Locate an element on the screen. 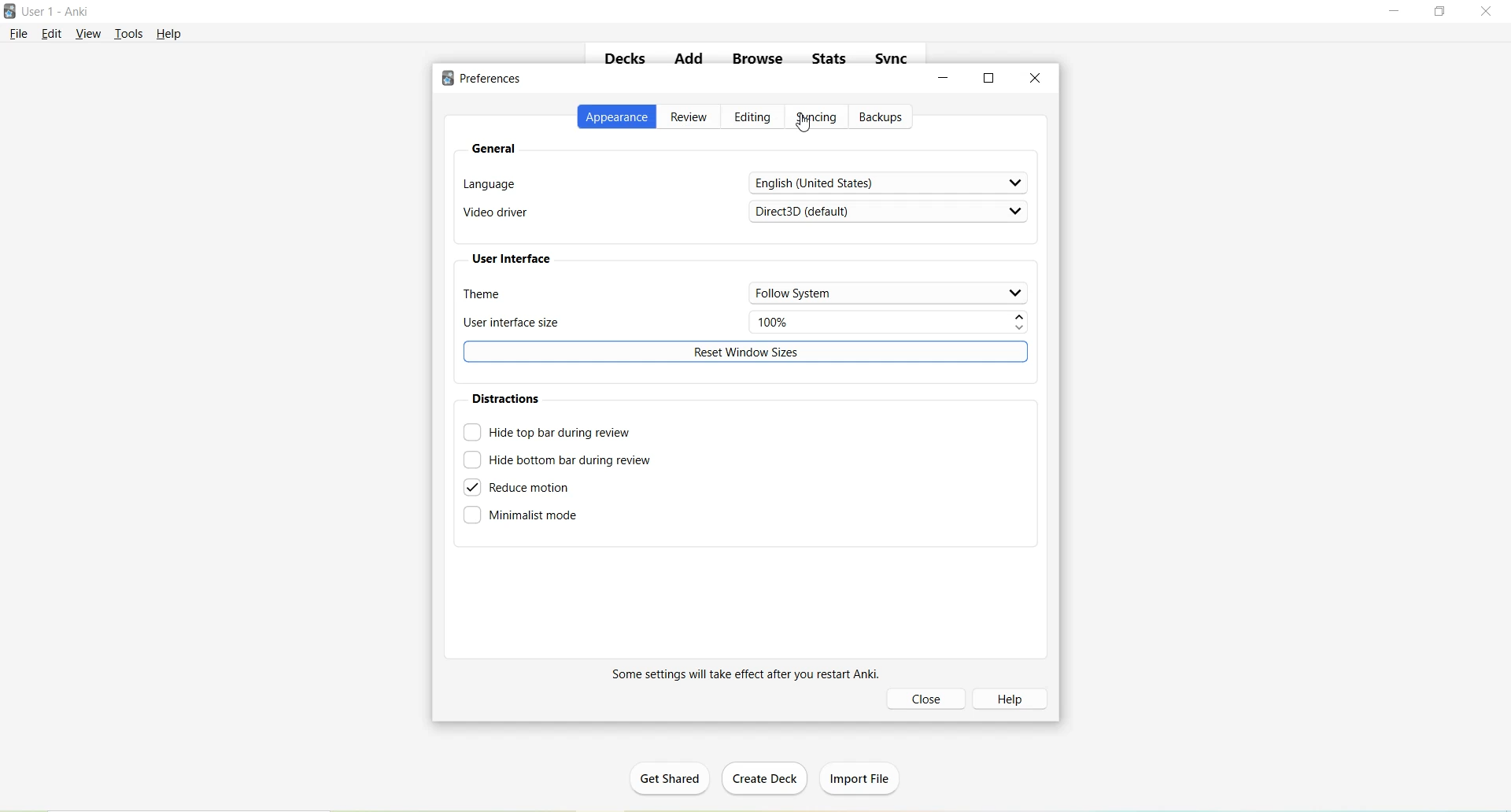 This screenshot has width=1511, height=812. Hide top bar during review is located at coordinates (547, 432).